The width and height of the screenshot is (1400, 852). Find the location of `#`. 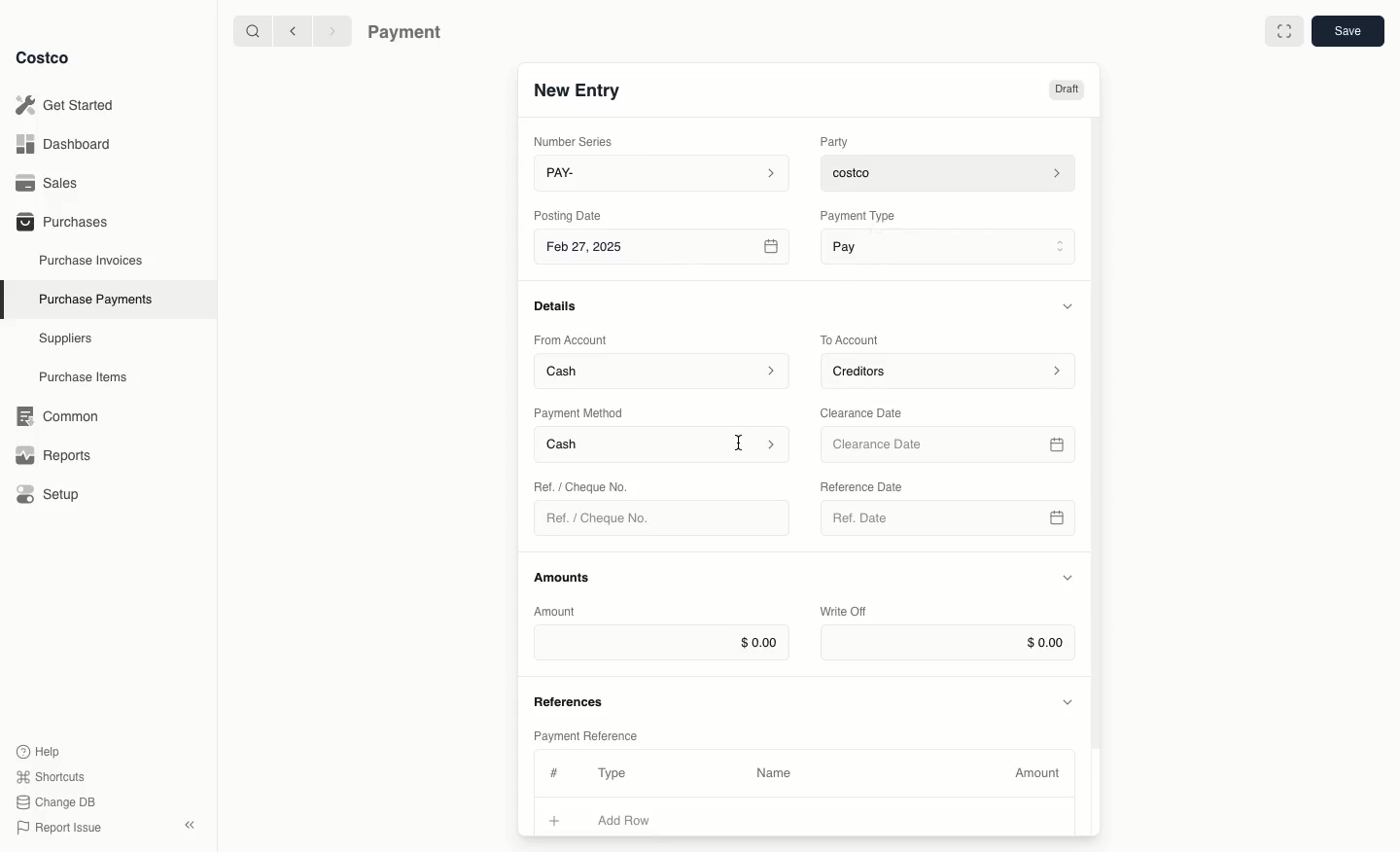

# is located at coordinates (551, 770).